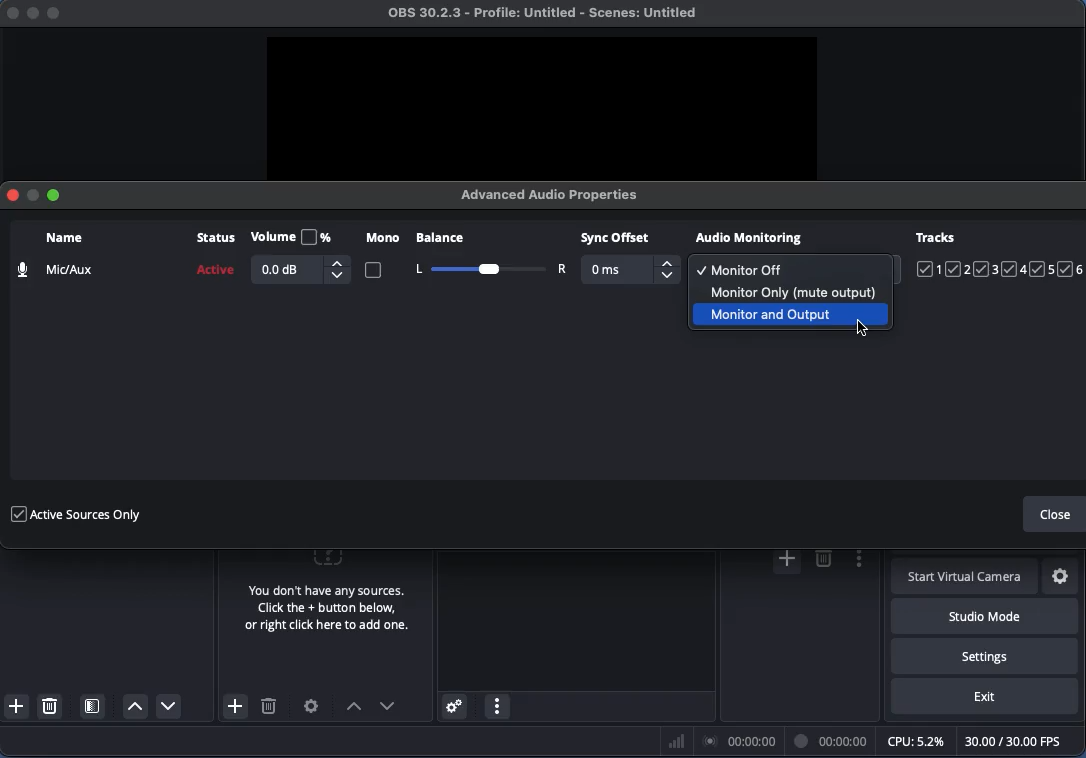 The image size is (1086, 758). I want to click on Add scenes, so click(17, 706).